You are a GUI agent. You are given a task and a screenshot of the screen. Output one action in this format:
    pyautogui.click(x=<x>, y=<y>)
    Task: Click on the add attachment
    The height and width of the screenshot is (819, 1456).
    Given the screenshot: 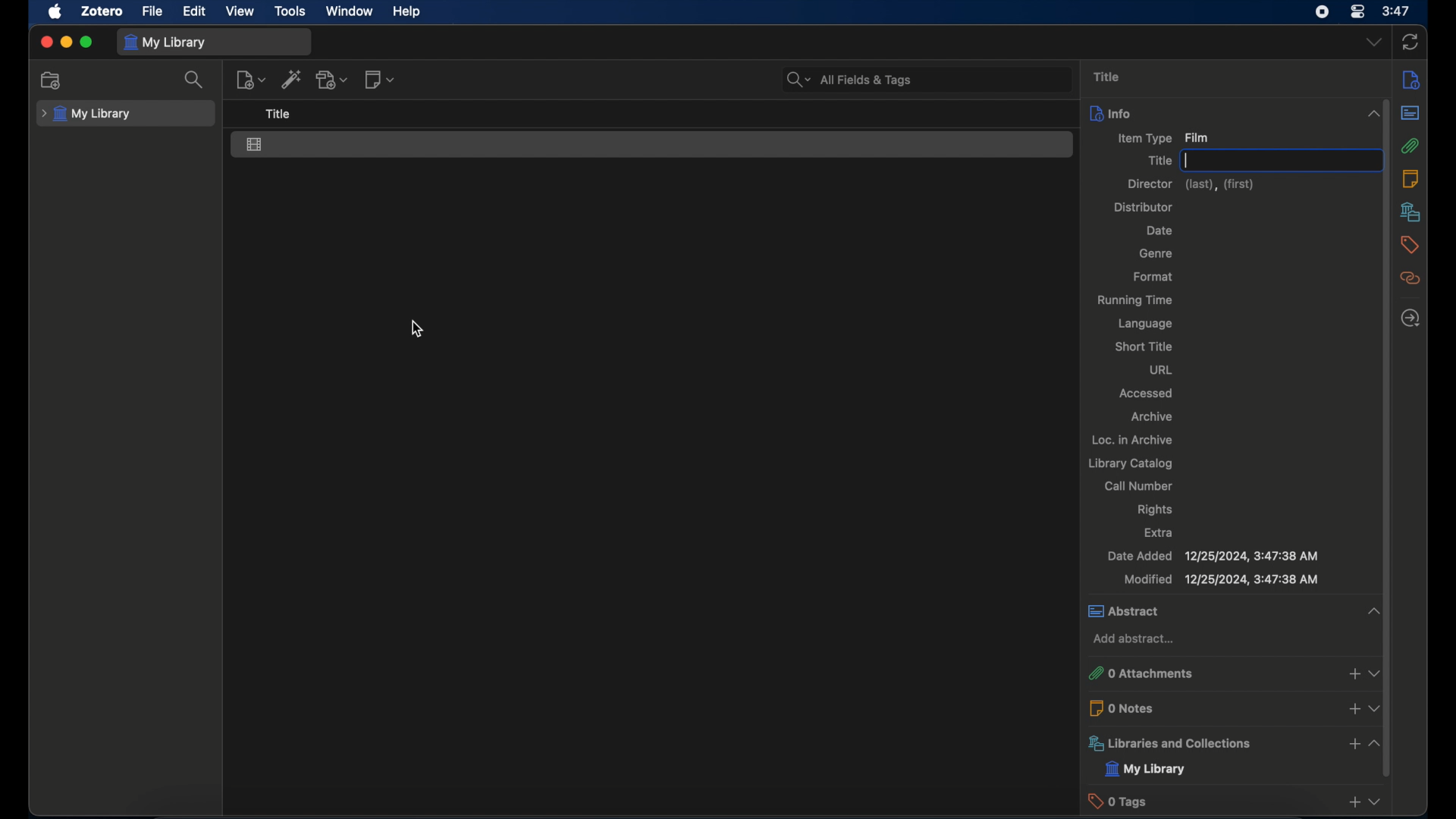 What is the action you would take?
    pyautogui.click(x=333, y=80)
    